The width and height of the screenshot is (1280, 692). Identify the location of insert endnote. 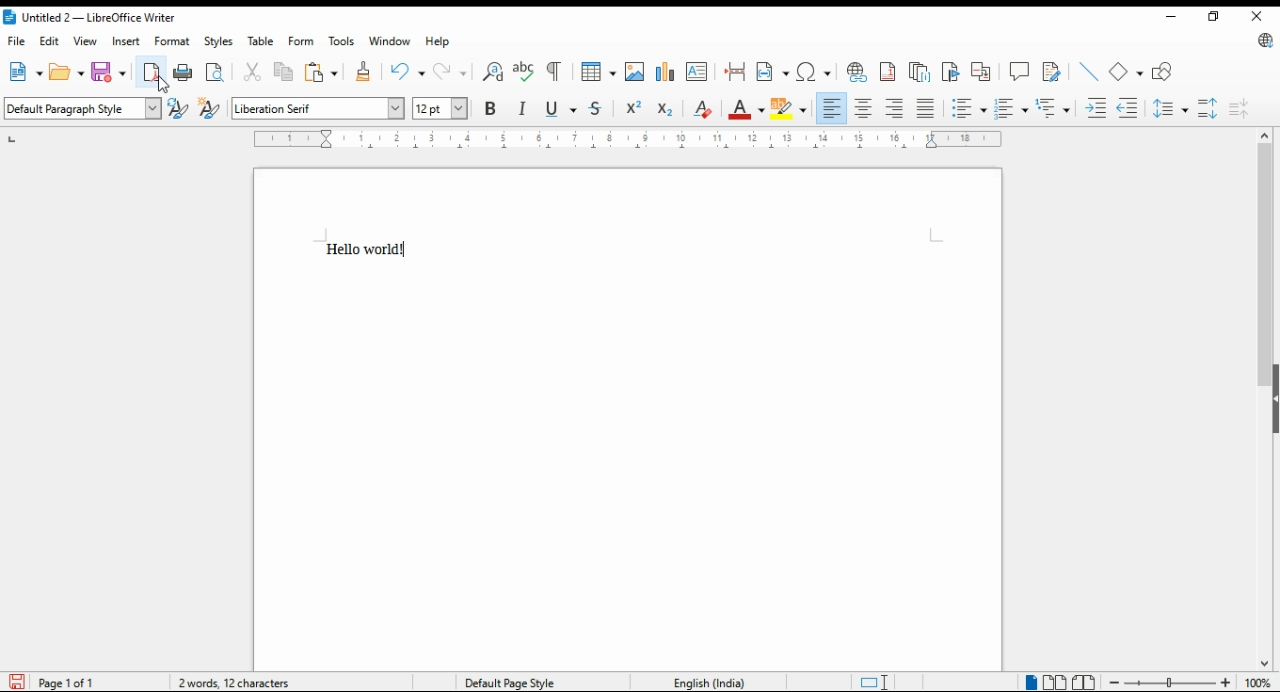
(919, 71).